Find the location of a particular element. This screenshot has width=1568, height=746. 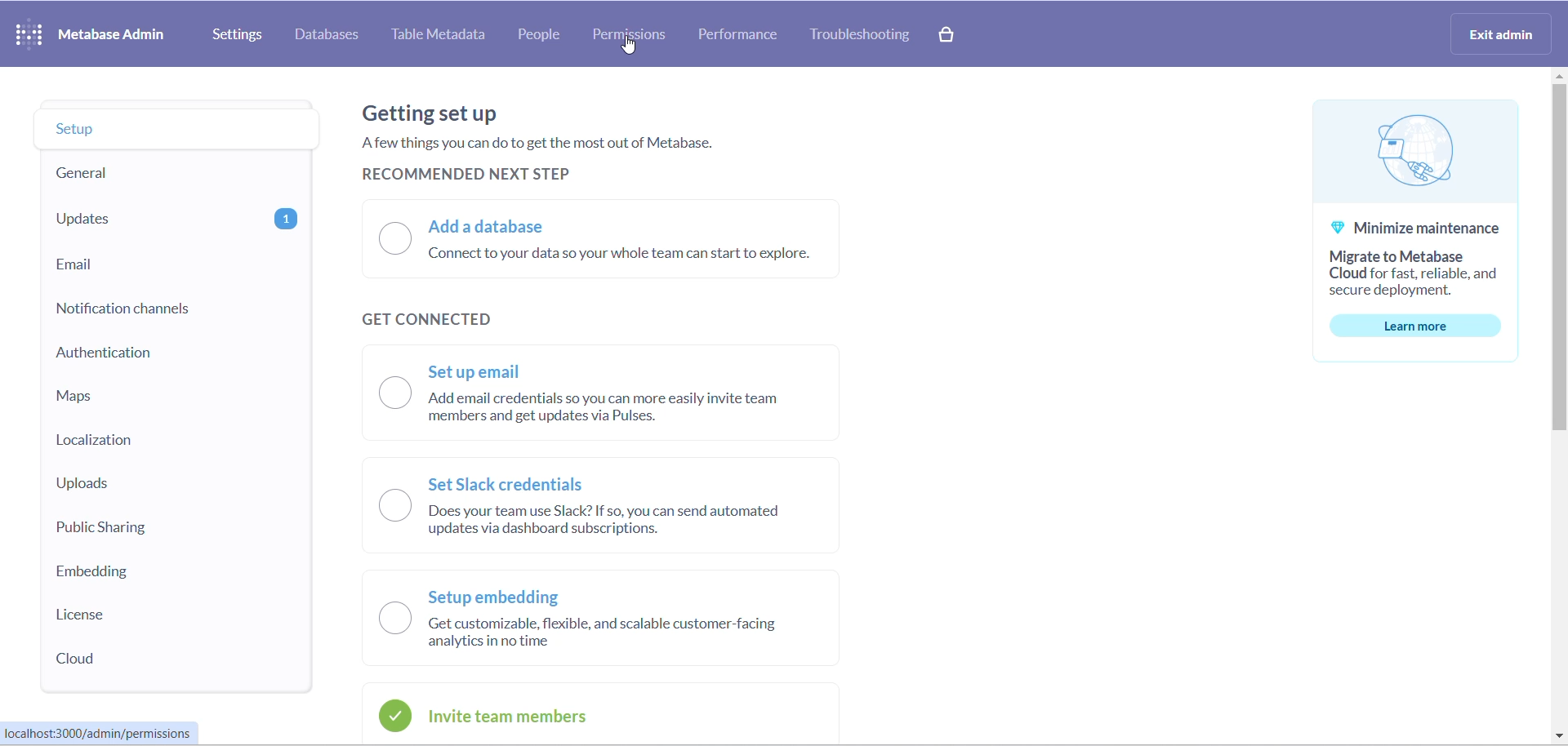

exit admin logo is located at coordinates (1506, 36).